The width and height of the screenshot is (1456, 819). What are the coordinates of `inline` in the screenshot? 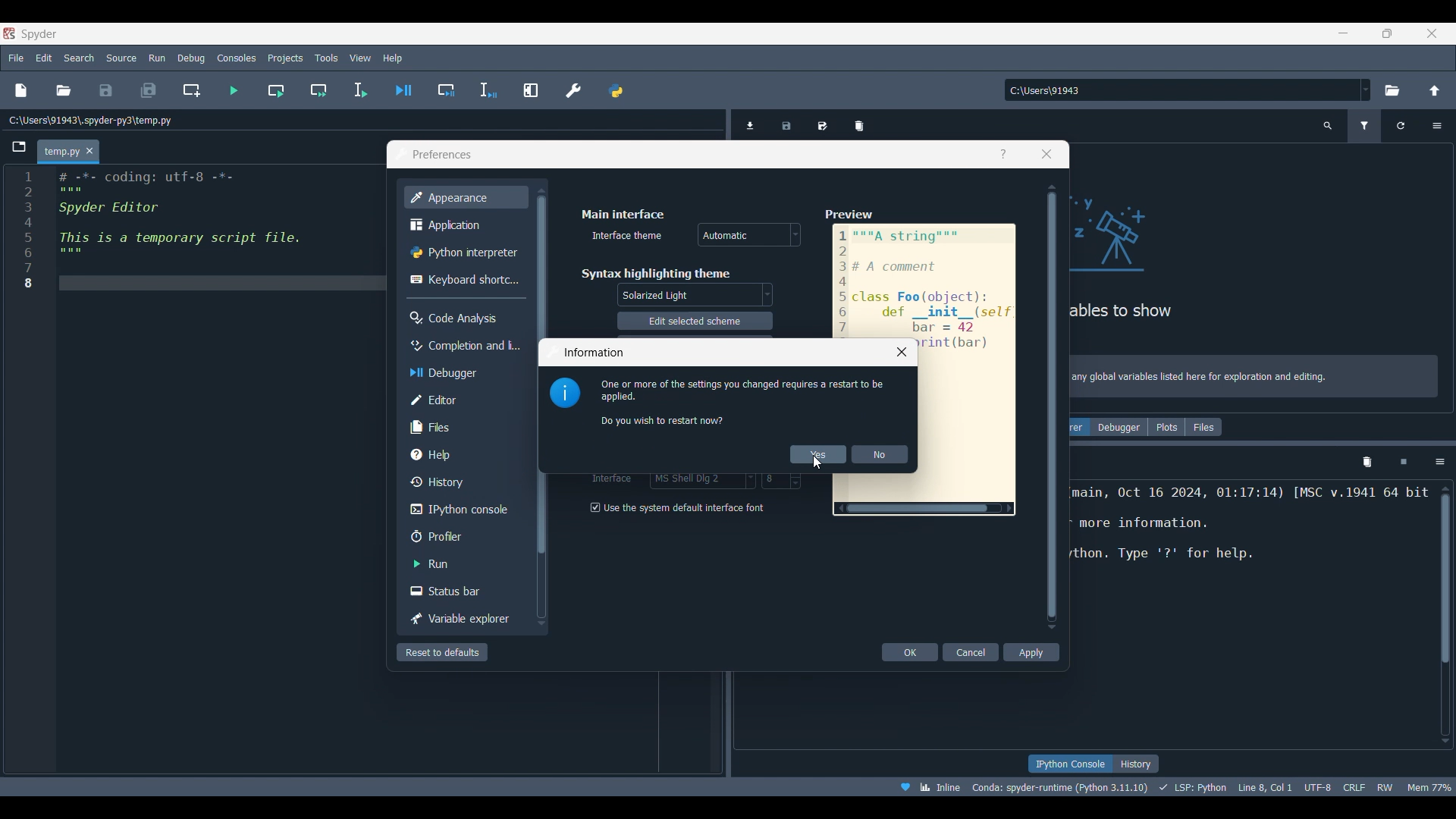 It's located at (927, 786).